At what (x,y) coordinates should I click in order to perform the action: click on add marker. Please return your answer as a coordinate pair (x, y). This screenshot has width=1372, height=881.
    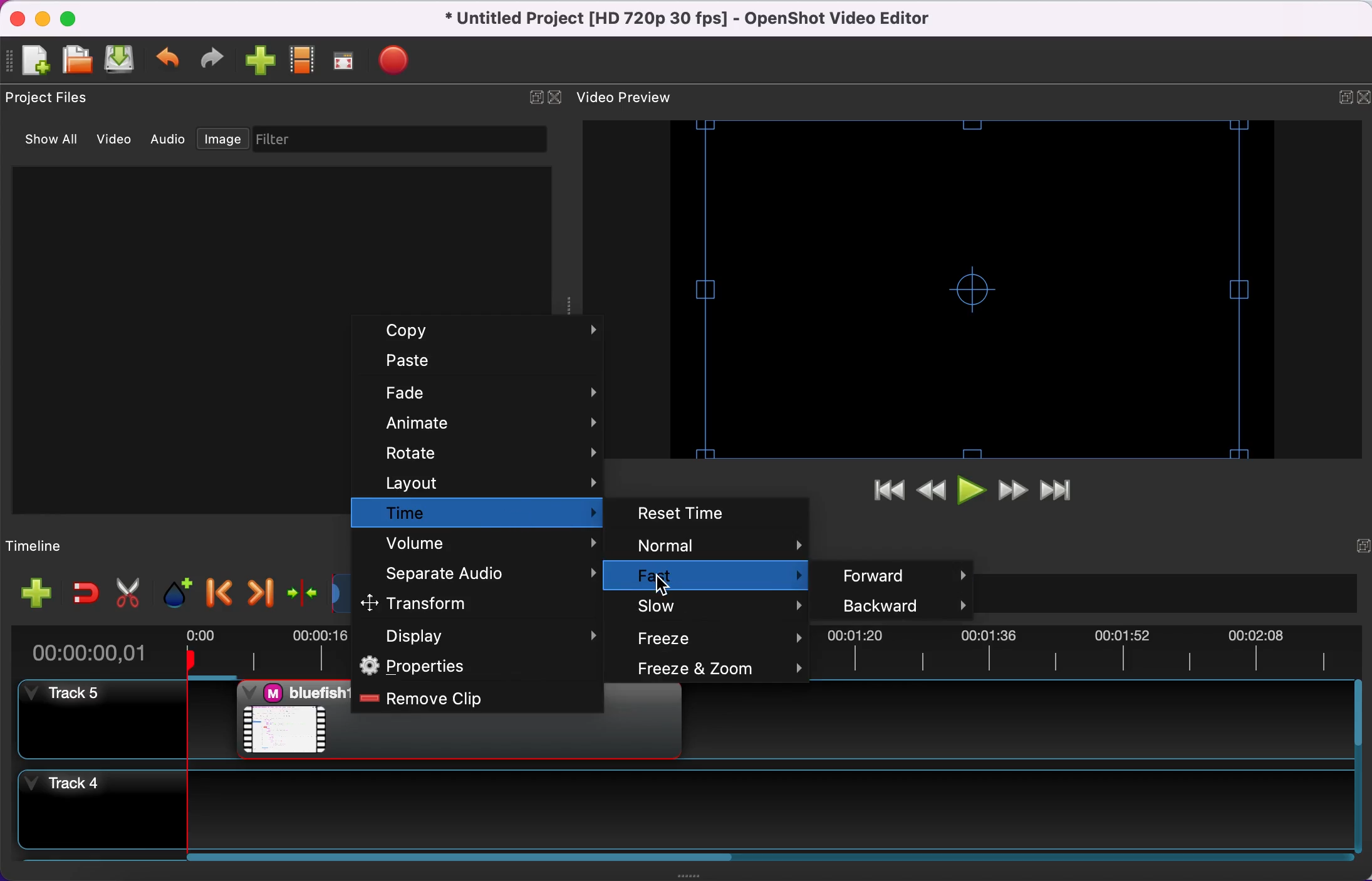
    Looking at the image, I should click on (176, 593).